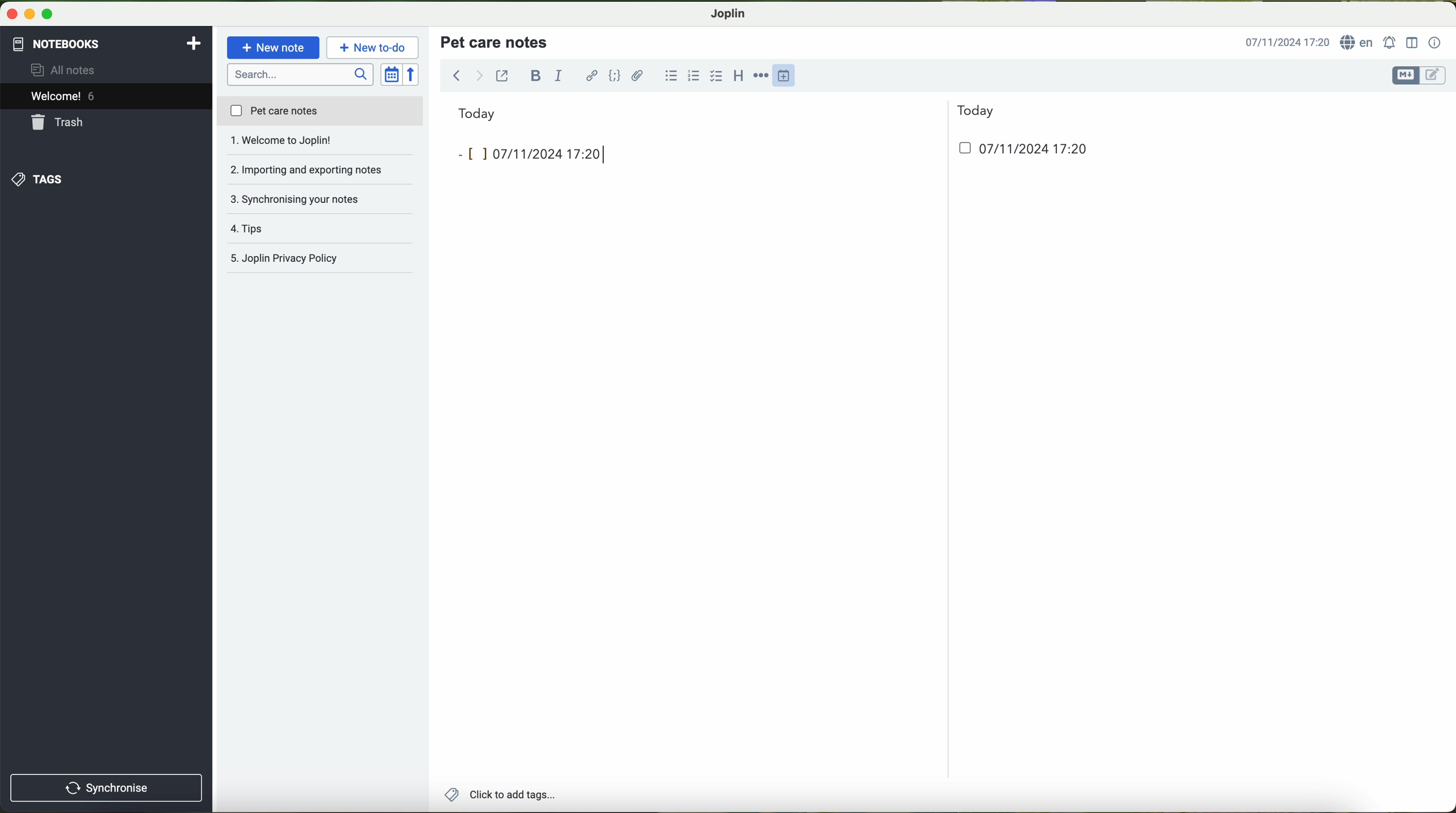 This screenshot has width=1456, height=813. I want to click on date and hour, so click(1016, 153).